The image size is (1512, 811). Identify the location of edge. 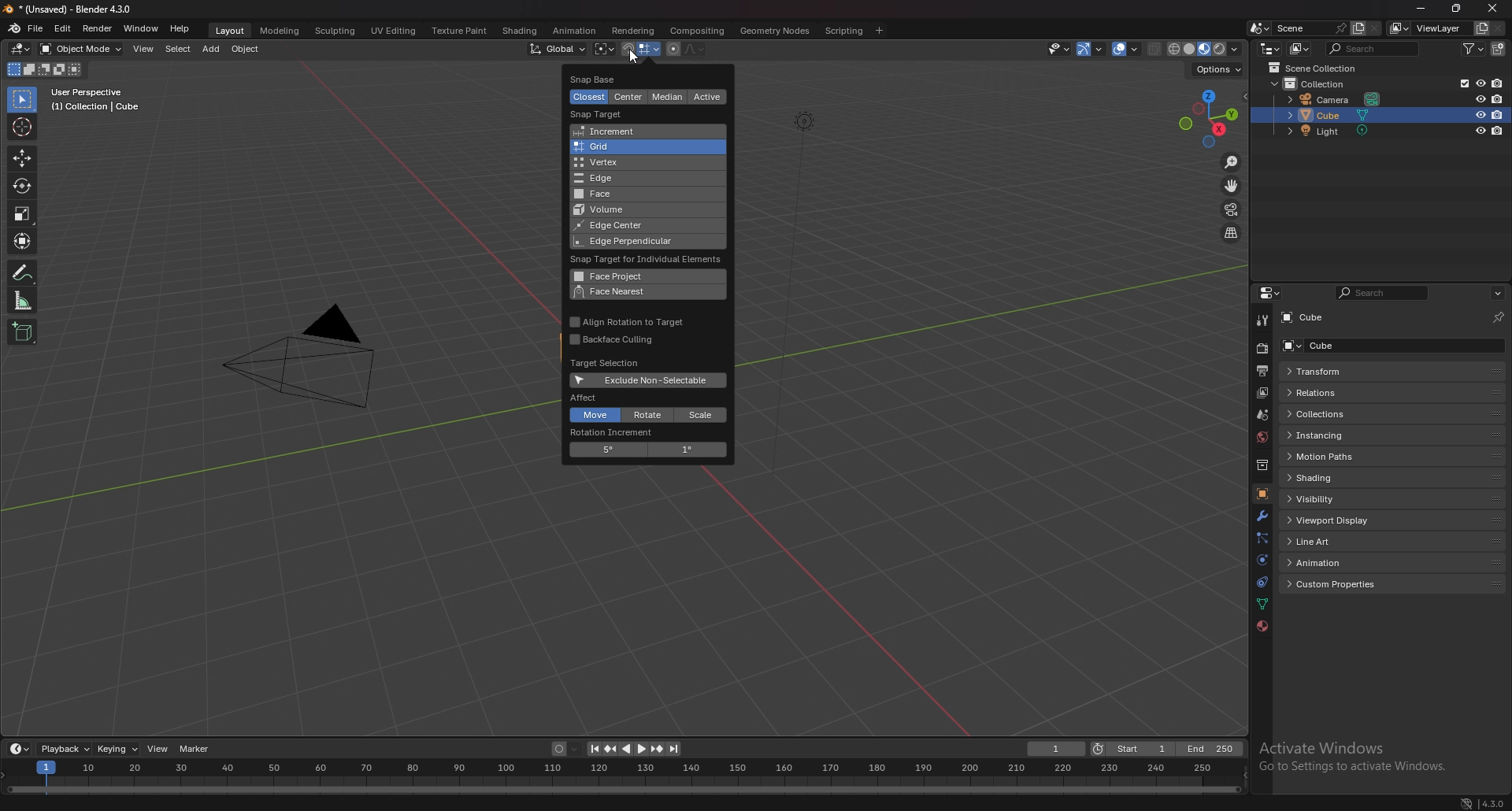
(639, 178).